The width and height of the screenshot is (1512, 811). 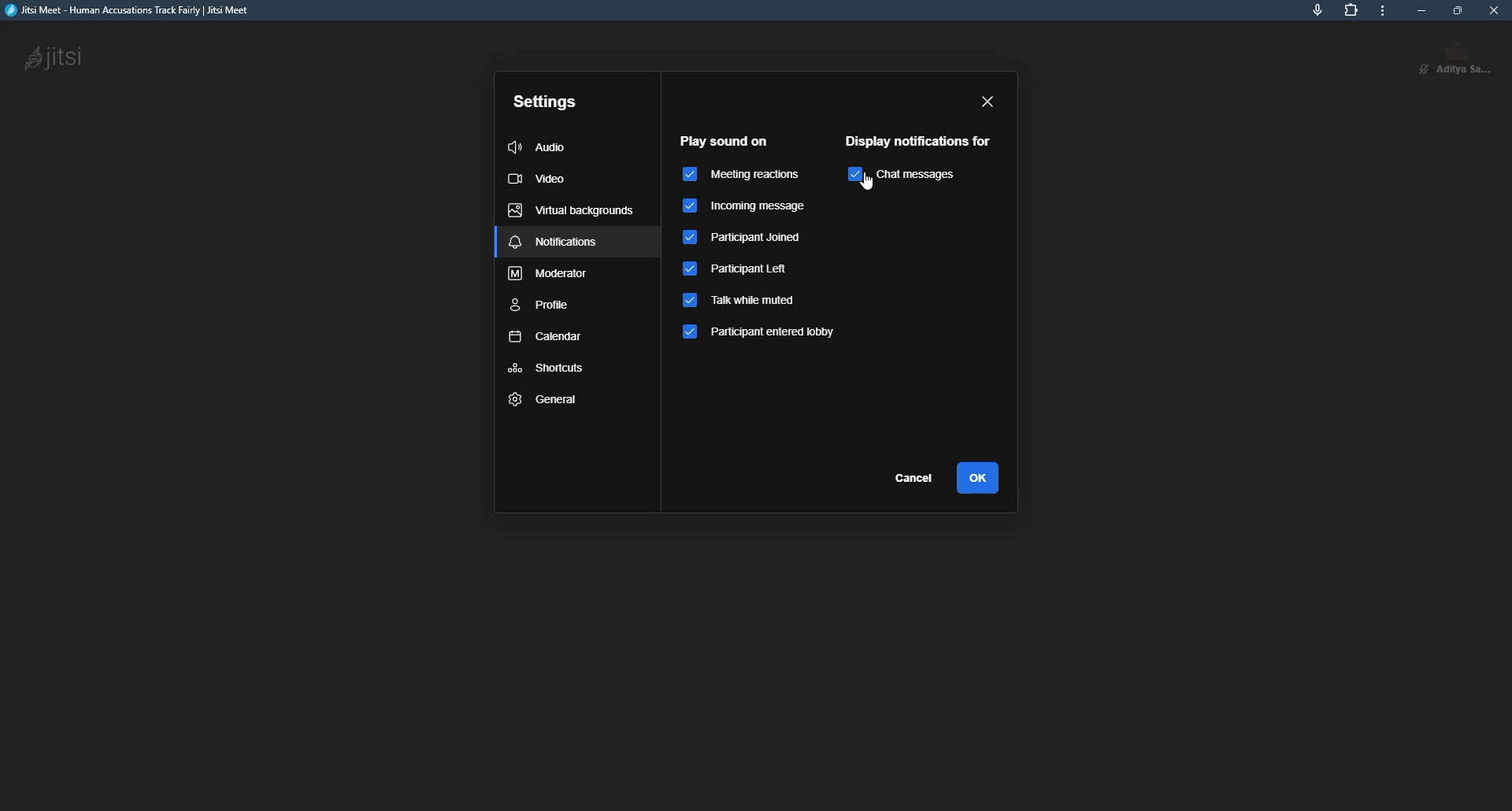 I want to click on display notification, so click(x=920, y=137).